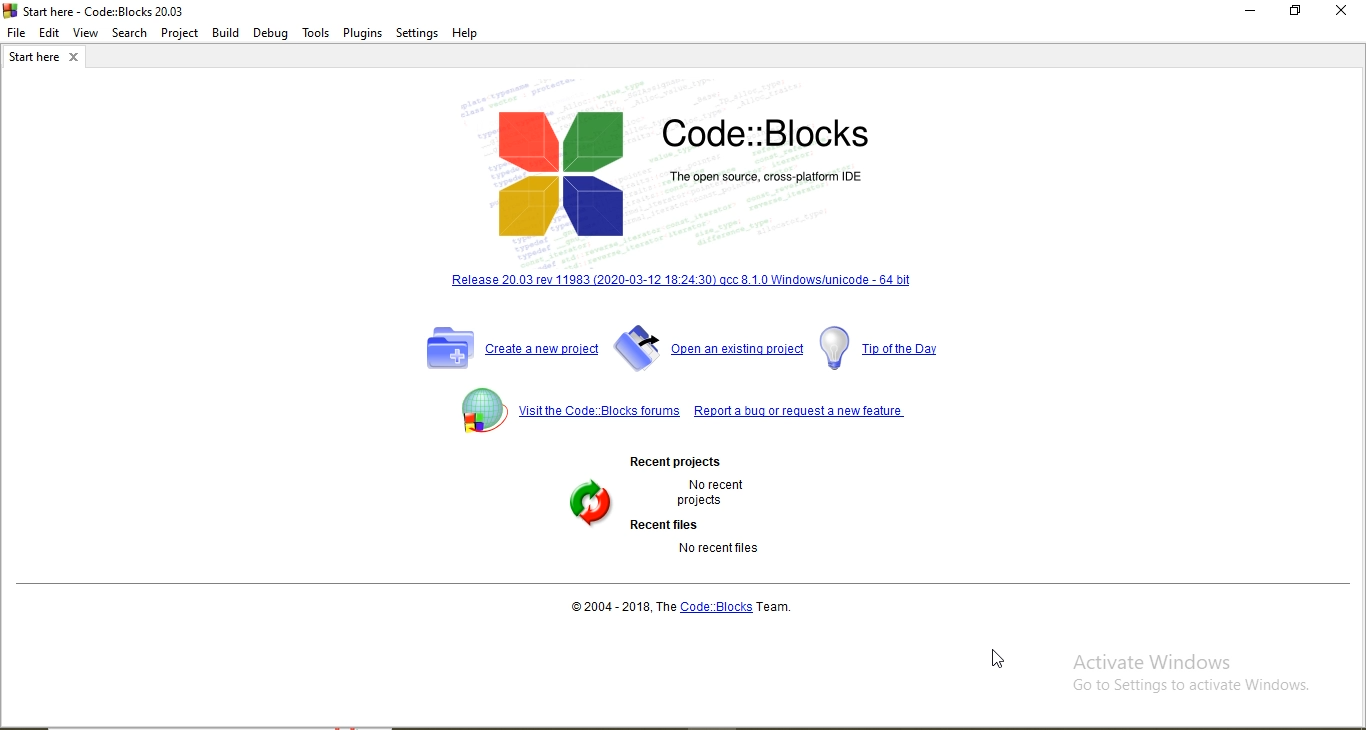  What do you see at coordinates (622, 606) in the screenshot?
I see `@2004-0218, the` at bounding box center [622, 606].